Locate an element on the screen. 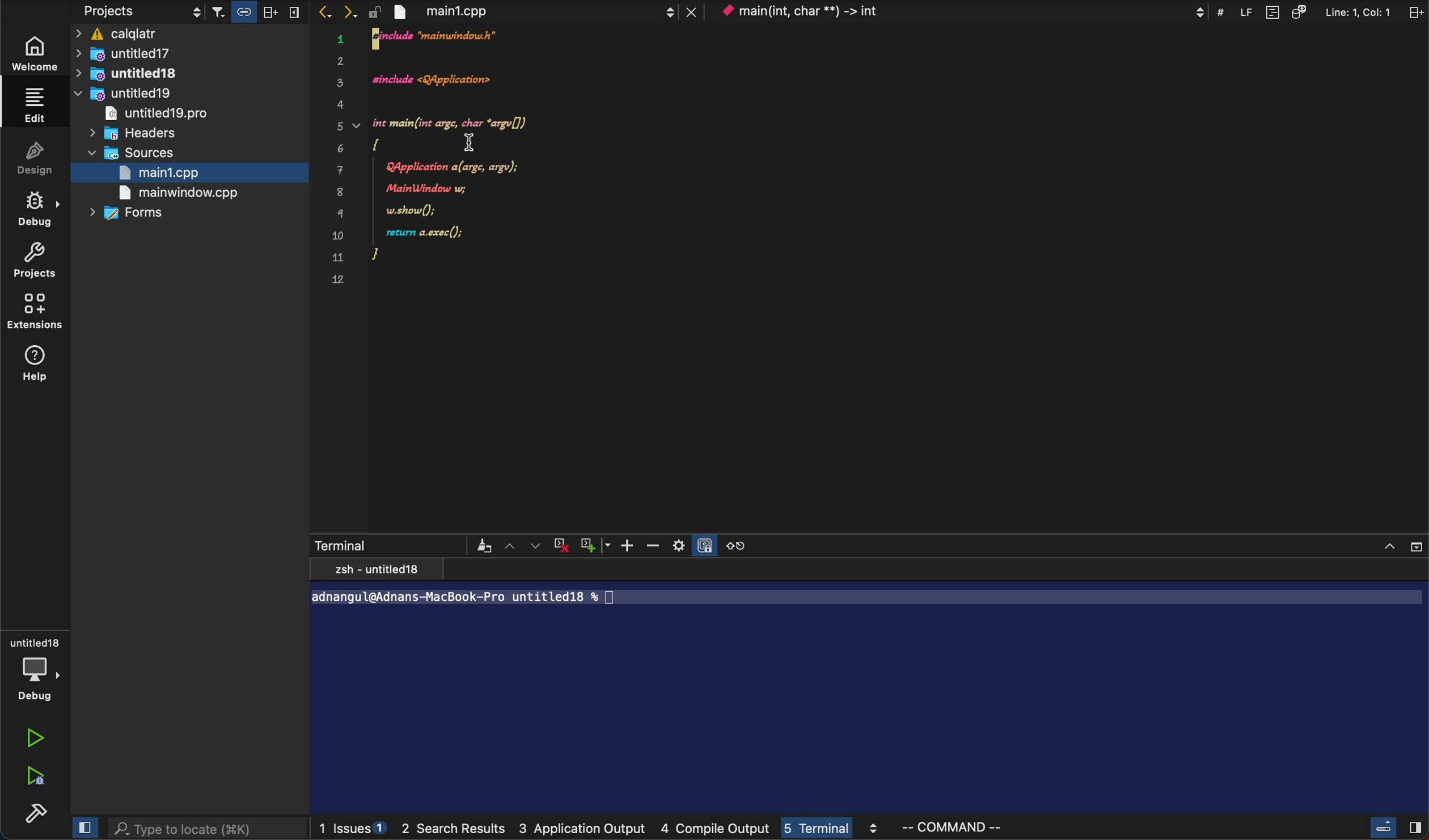 The width and height of the screenshot is (1429, 840). extentions is located at coordinates (38, 313).